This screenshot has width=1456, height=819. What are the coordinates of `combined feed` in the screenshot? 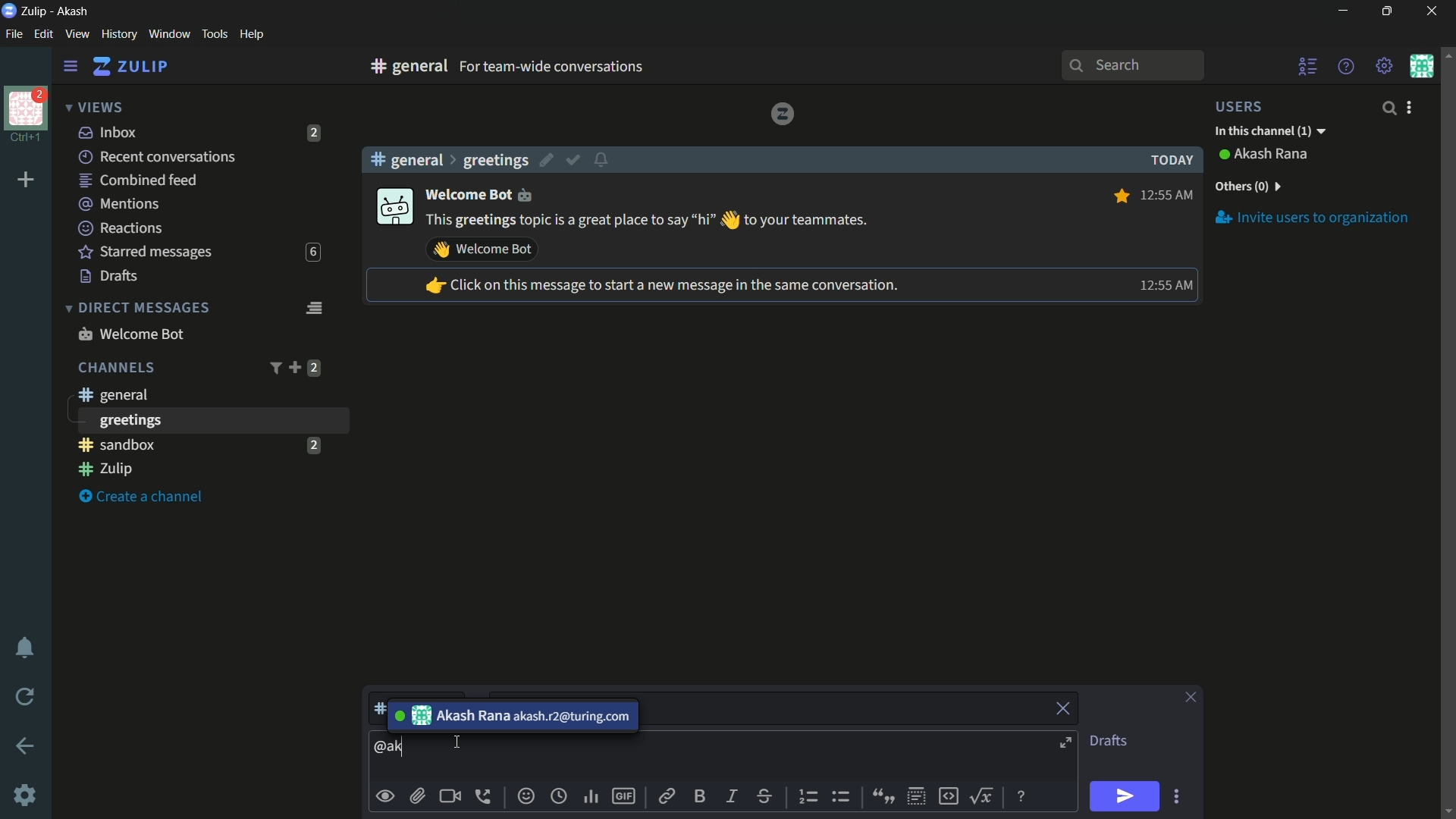 It's located at (137, 181).